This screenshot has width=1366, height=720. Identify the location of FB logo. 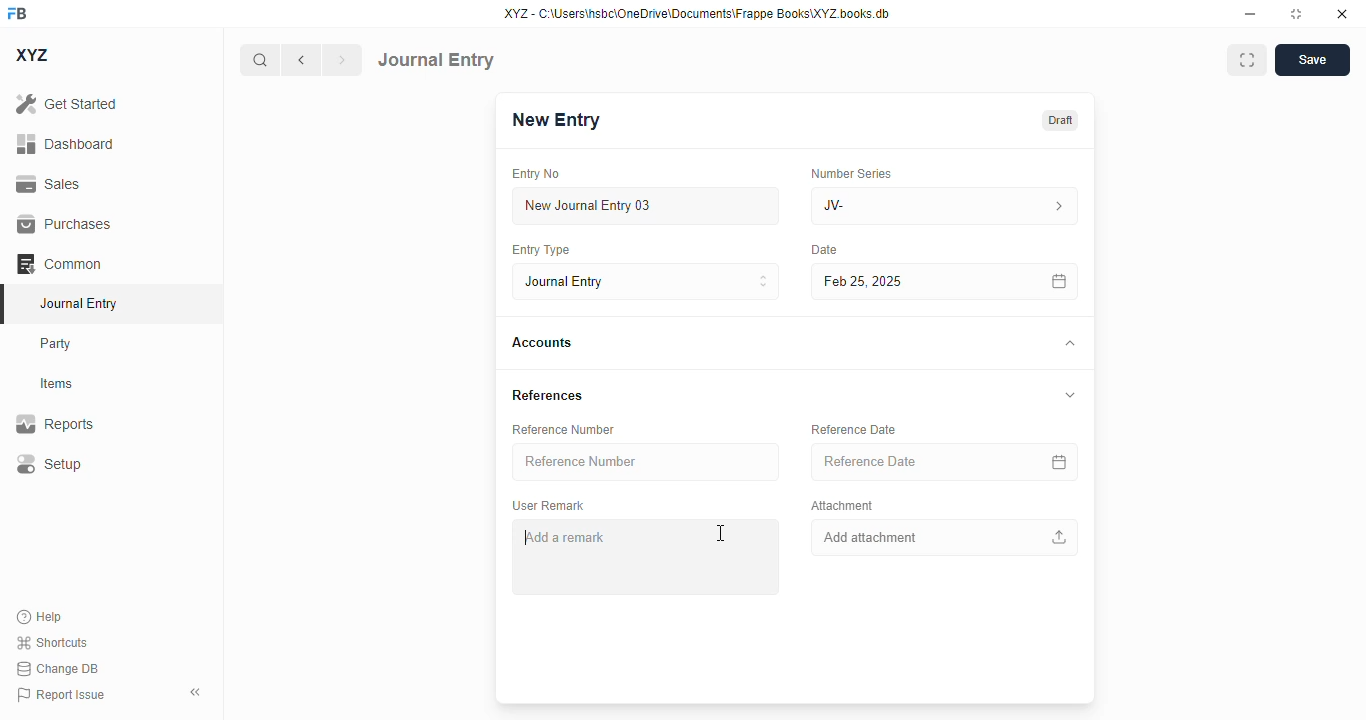
(17, 12).